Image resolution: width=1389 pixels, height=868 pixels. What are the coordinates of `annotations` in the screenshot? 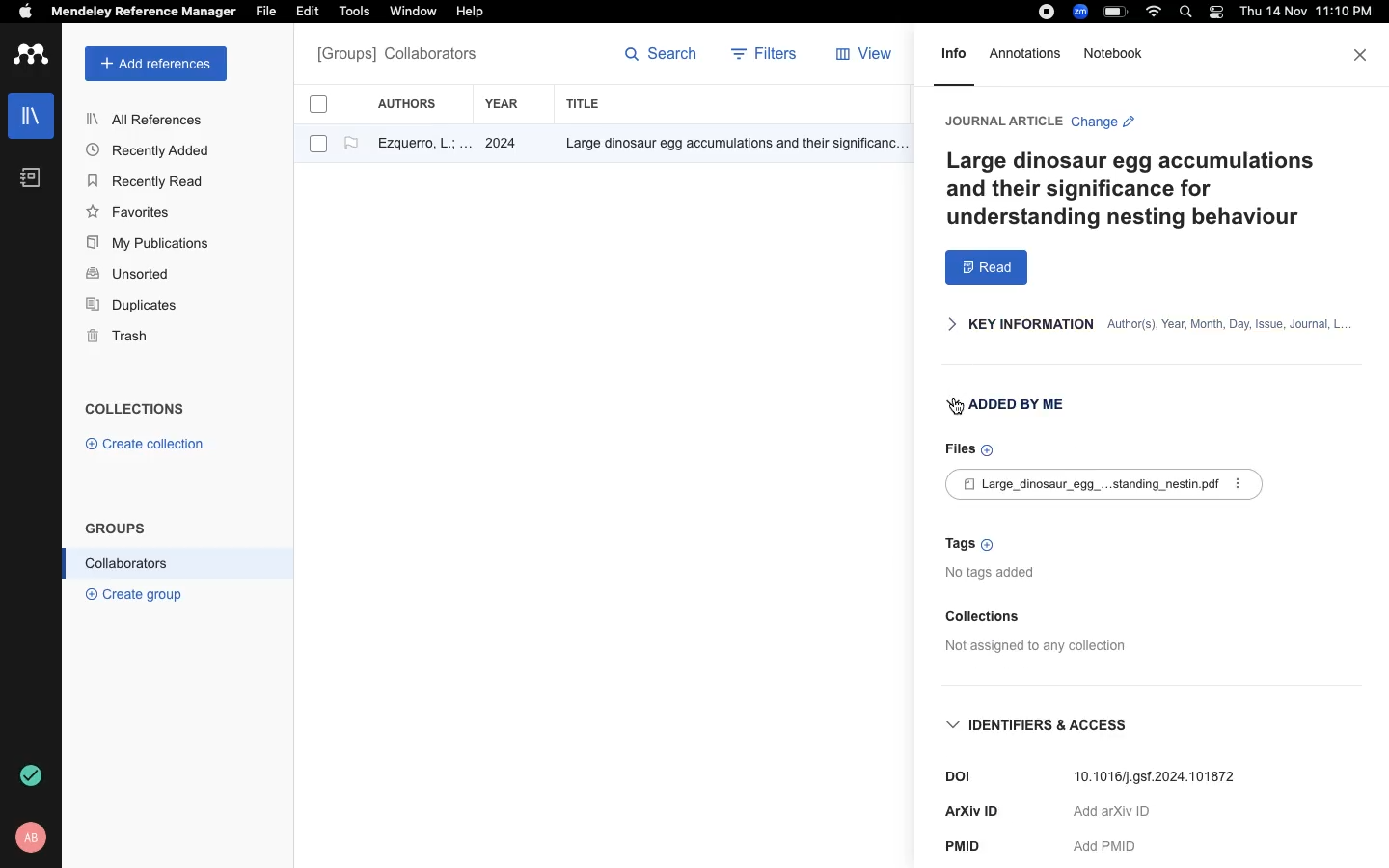 It's located at (1029, 53).